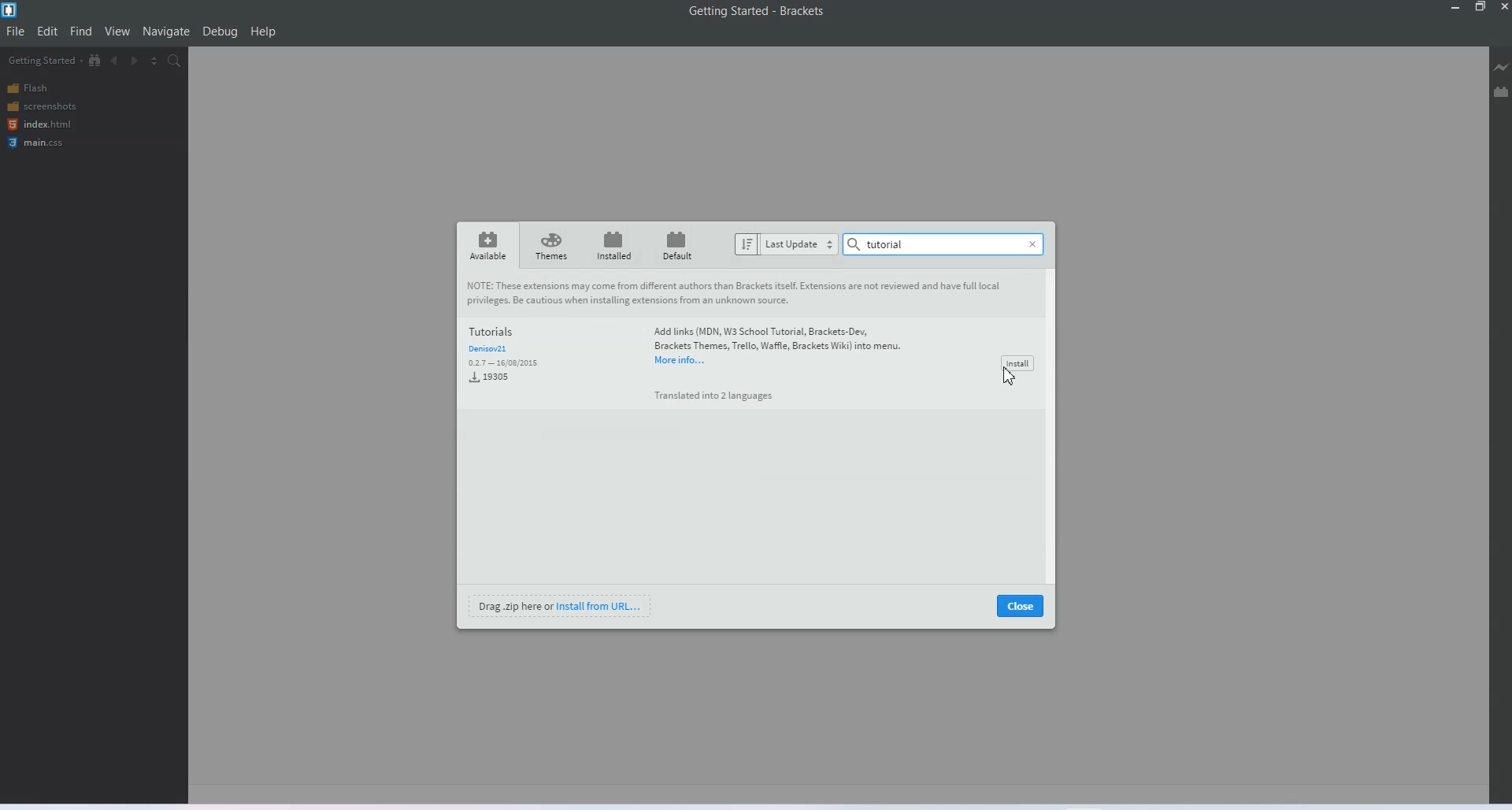 The image size is (1512, 810). Describe the element at coordinates (117, 61) in the screenshot. I see `Navigate Backwards` at that location.